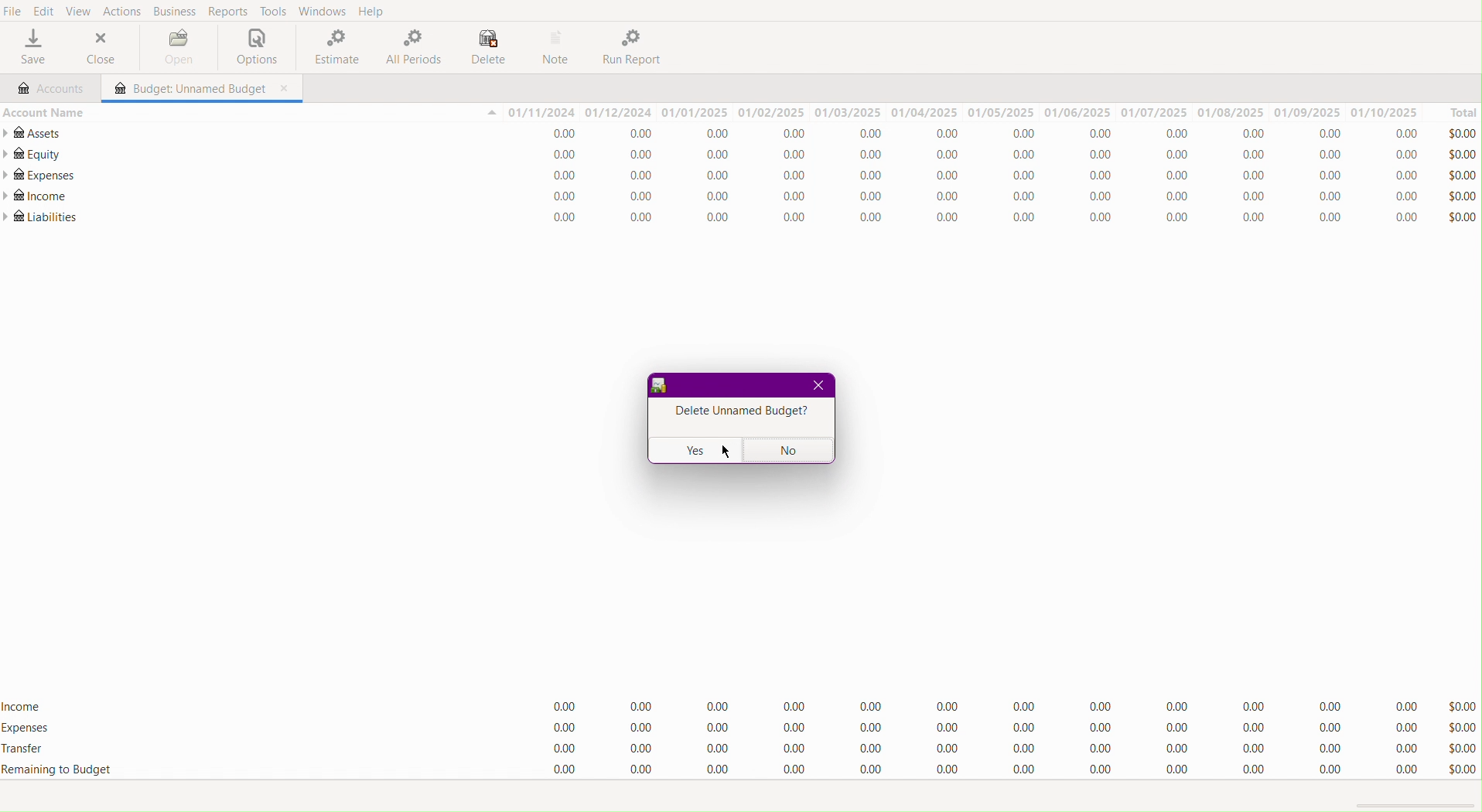  Describe the element at coordinates (660, 387) in the screenshot. I see `icon` at that location.